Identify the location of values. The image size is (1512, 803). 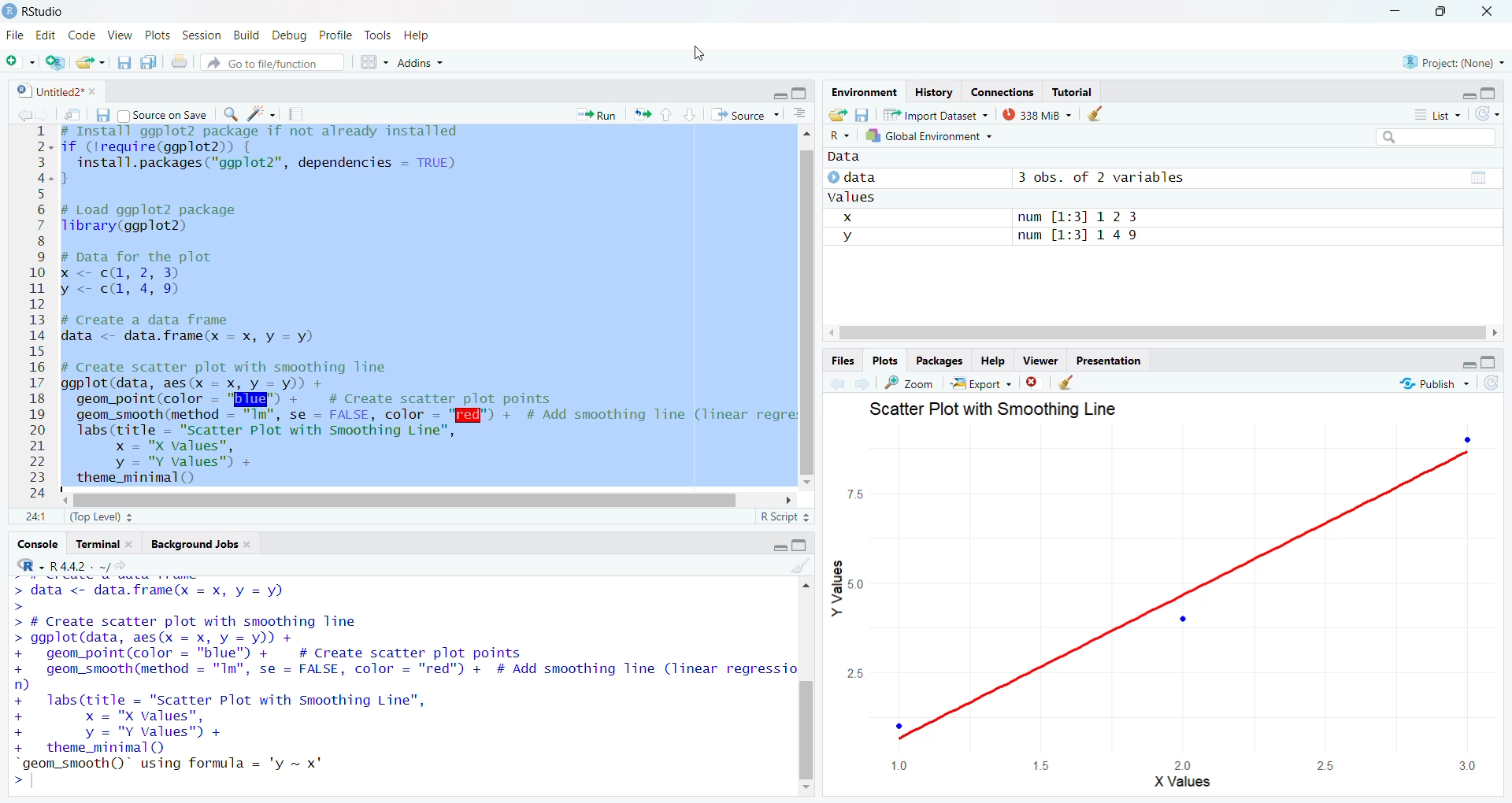
(859, 196).